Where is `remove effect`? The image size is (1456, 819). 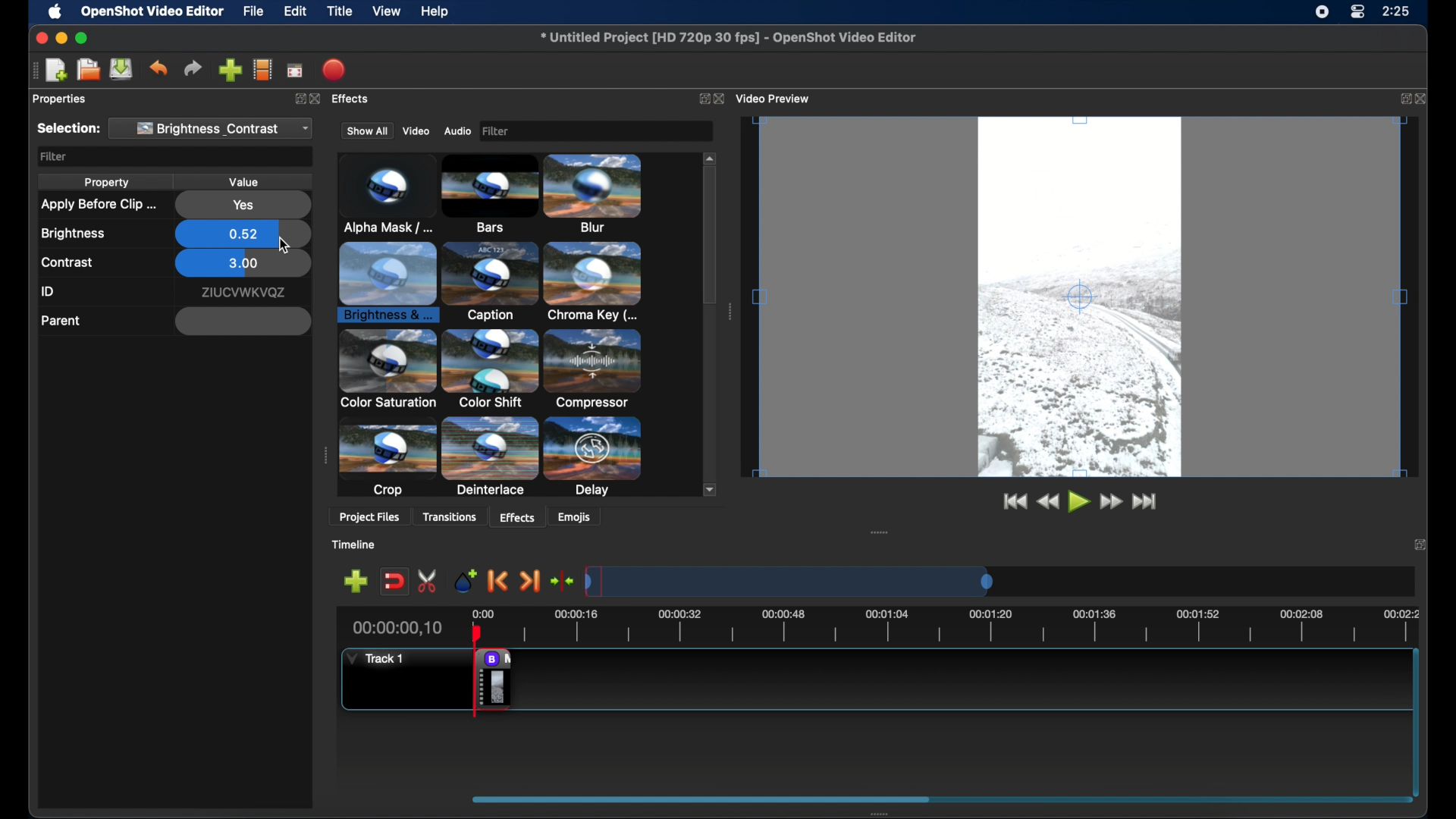 remove effect is located at coordinates (493, 679).